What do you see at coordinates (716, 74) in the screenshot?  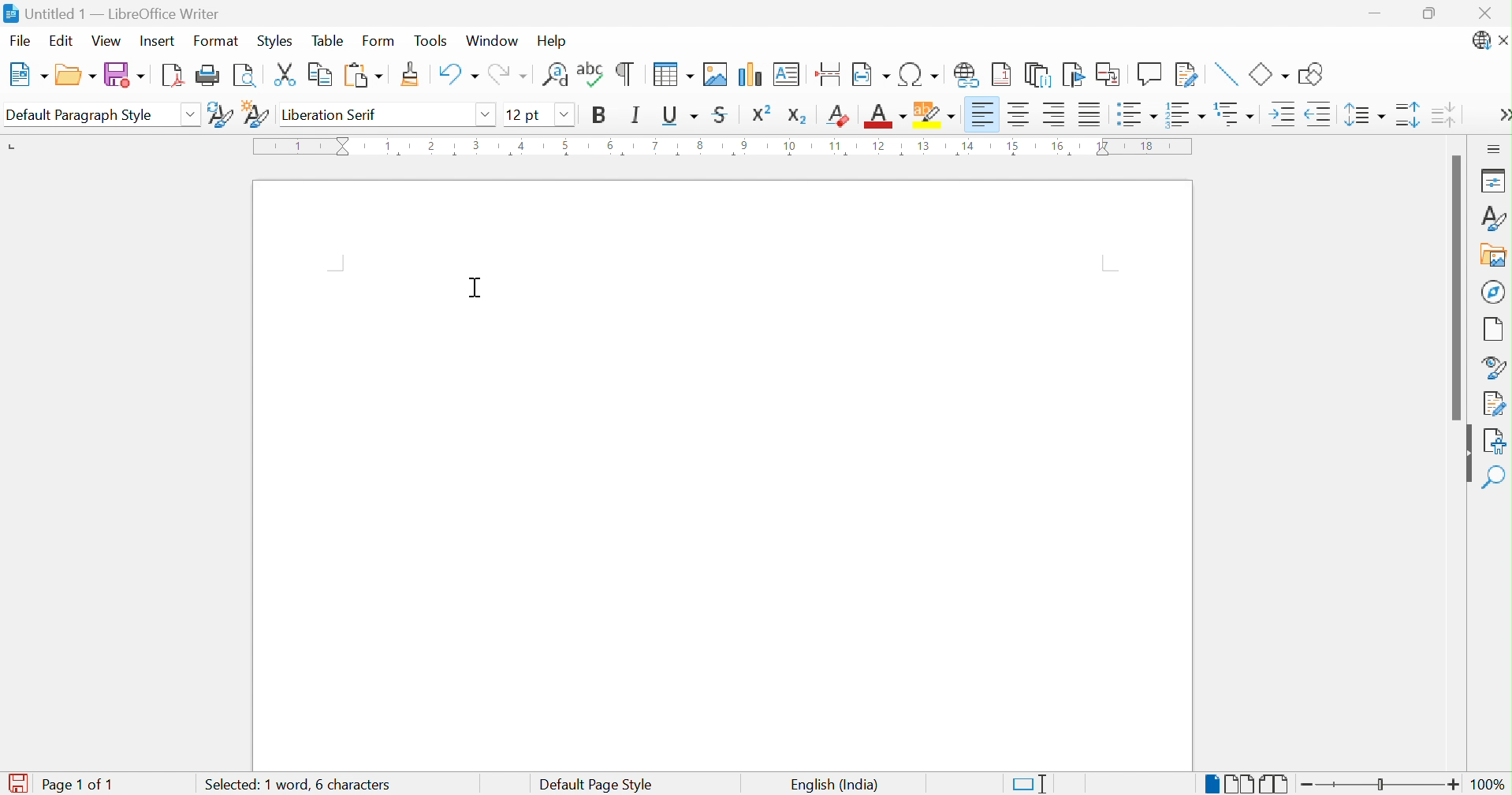 I see `Insert Image` at bounding box center [716, 74].